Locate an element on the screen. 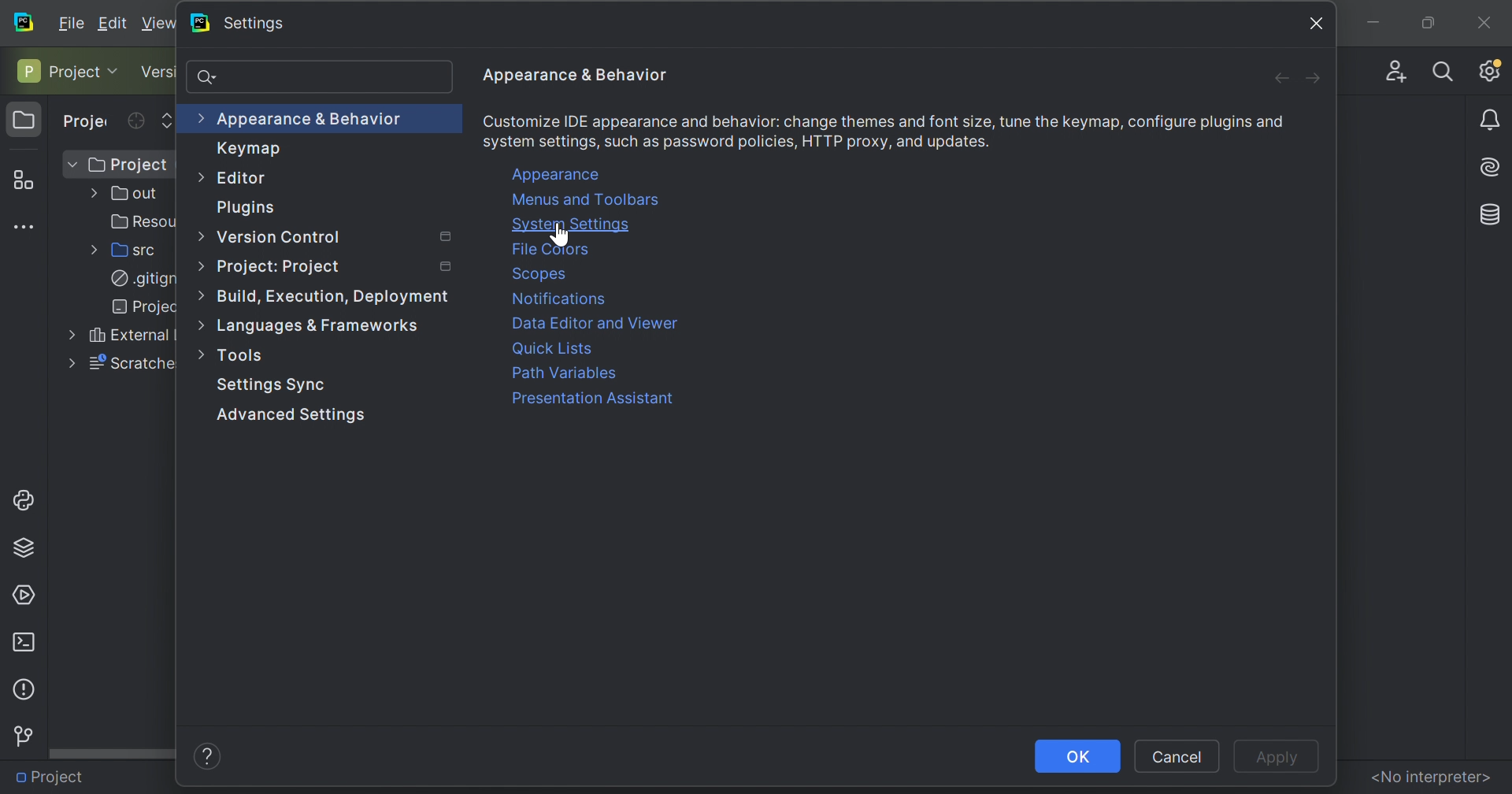 The image size is (1512, 794). Project: Project is located at coordinates (282, 266).